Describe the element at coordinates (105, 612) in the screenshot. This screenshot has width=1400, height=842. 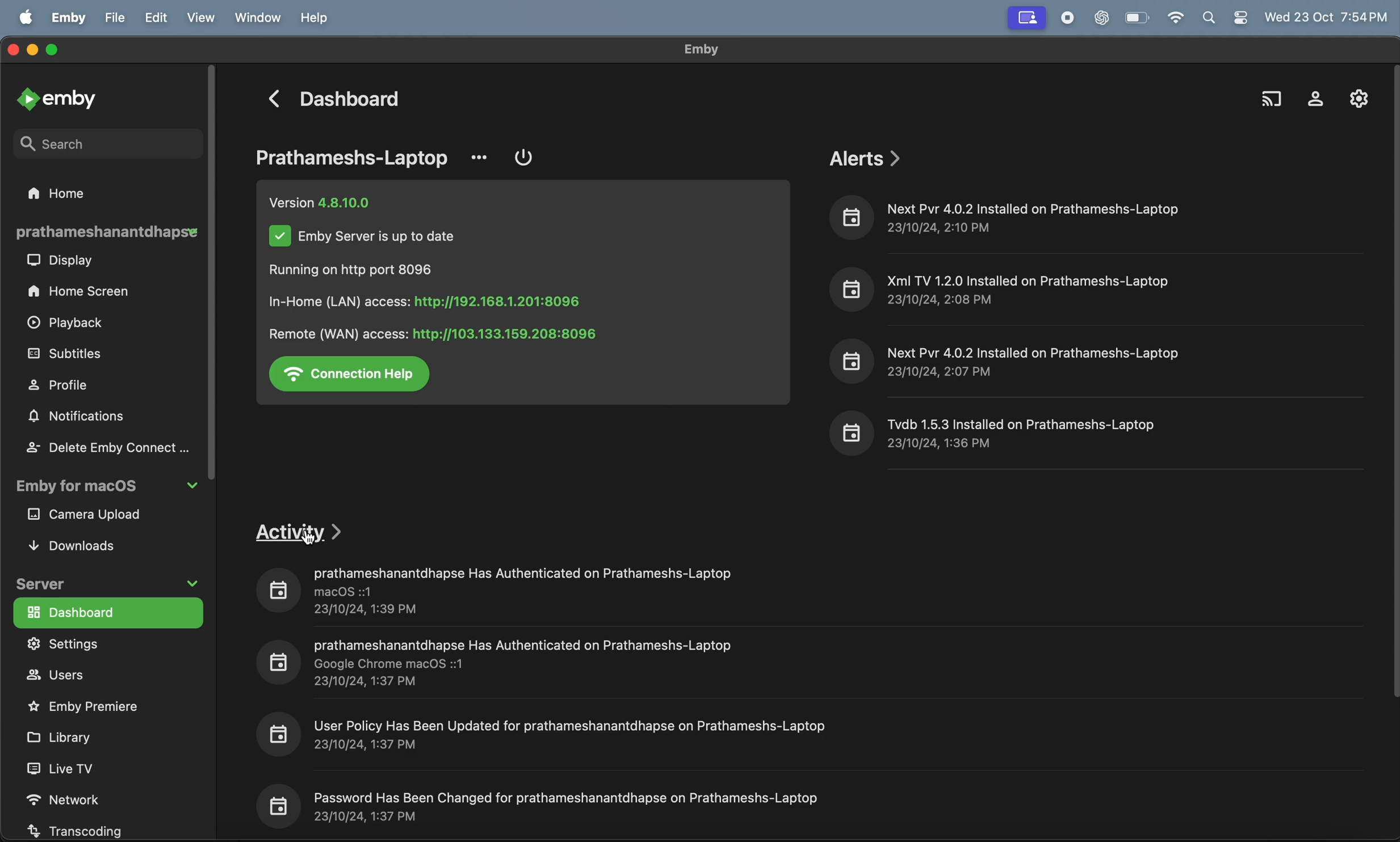
I see `dashboards` at that location.